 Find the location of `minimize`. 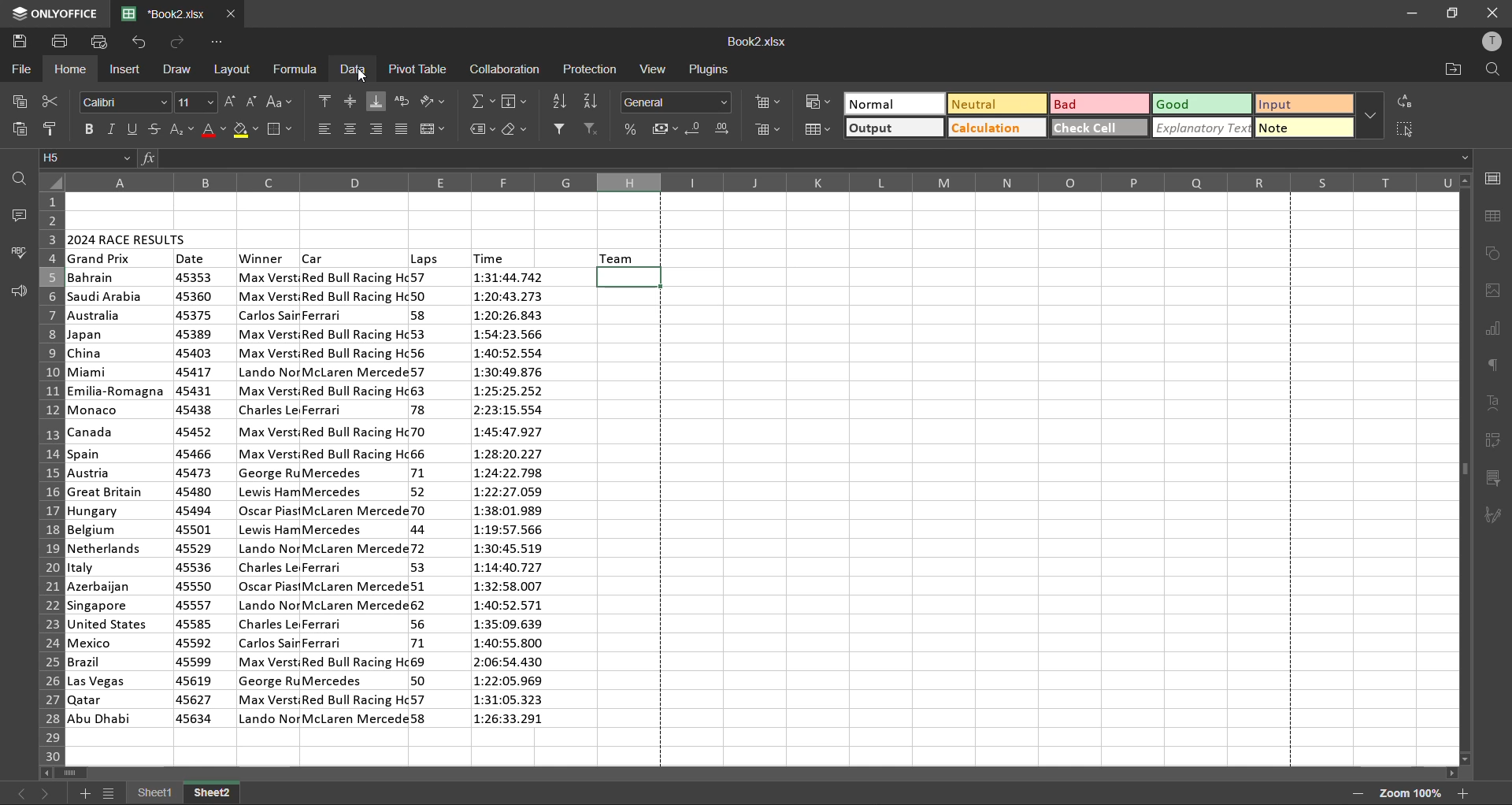

minimize is located at coordinates (1411, 14).